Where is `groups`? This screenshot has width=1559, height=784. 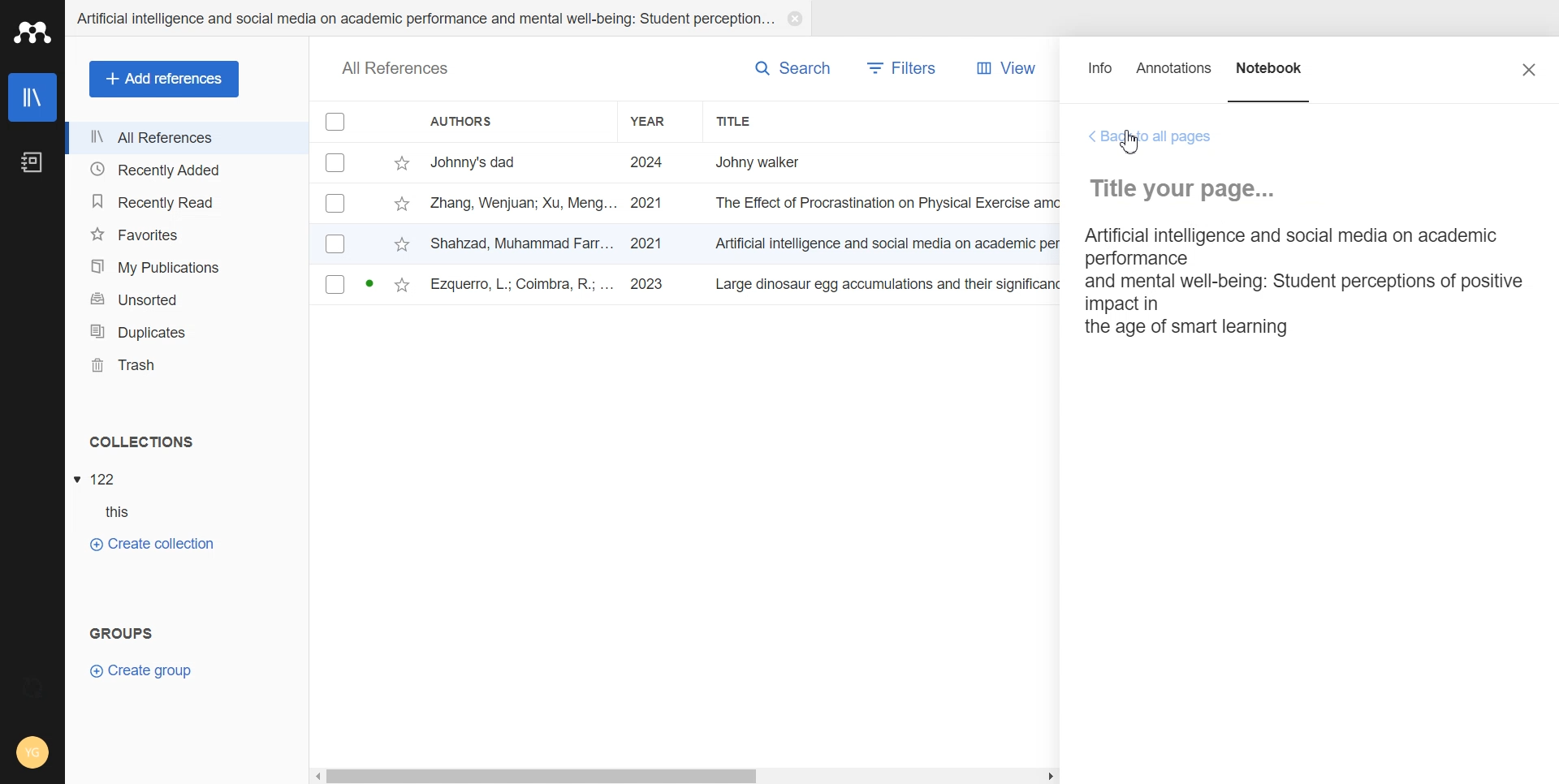
groups is located at coordinates (123, 631).